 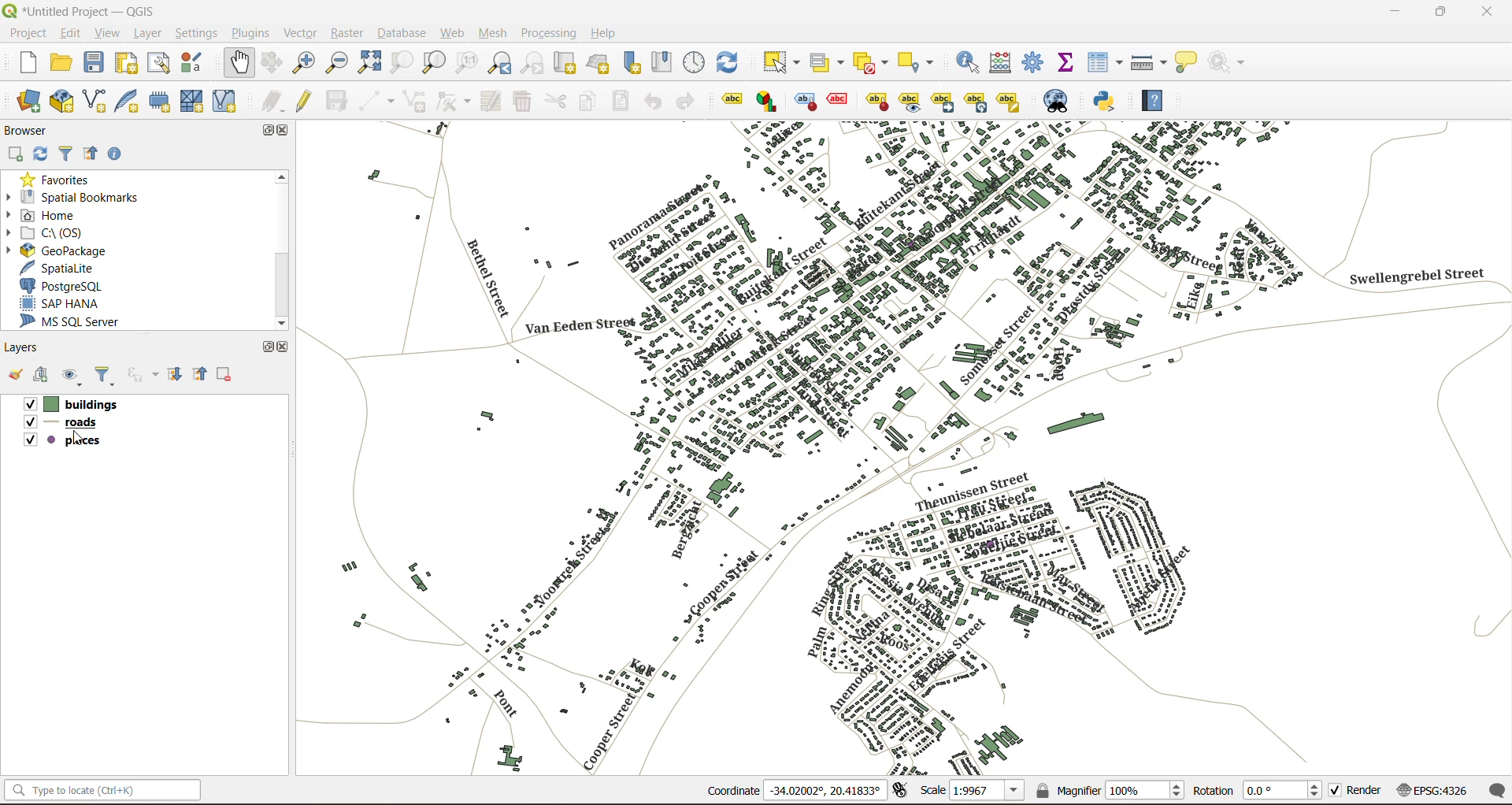 What do you see at coordinates (73, 322) in the screenshot?
I see `ms sql server` at bounding box center [73, 322].